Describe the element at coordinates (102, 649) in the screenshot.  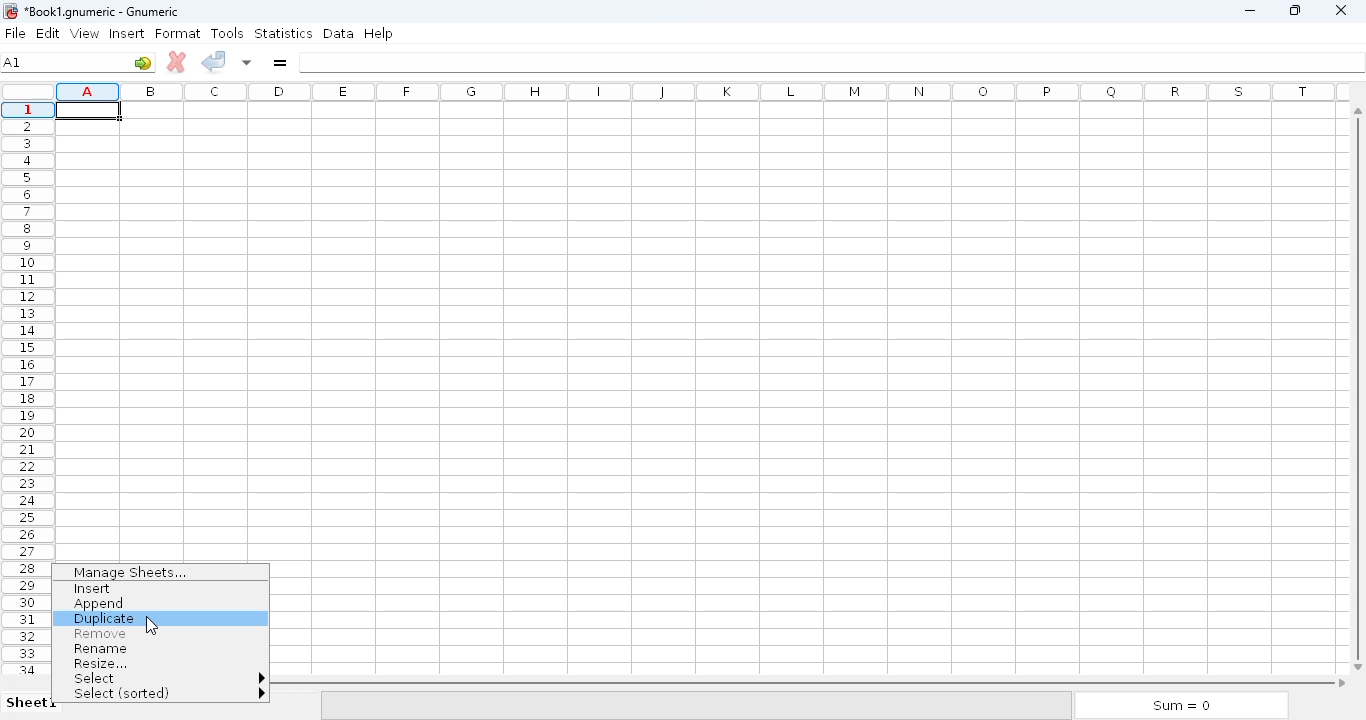
I see `rename` at that location.